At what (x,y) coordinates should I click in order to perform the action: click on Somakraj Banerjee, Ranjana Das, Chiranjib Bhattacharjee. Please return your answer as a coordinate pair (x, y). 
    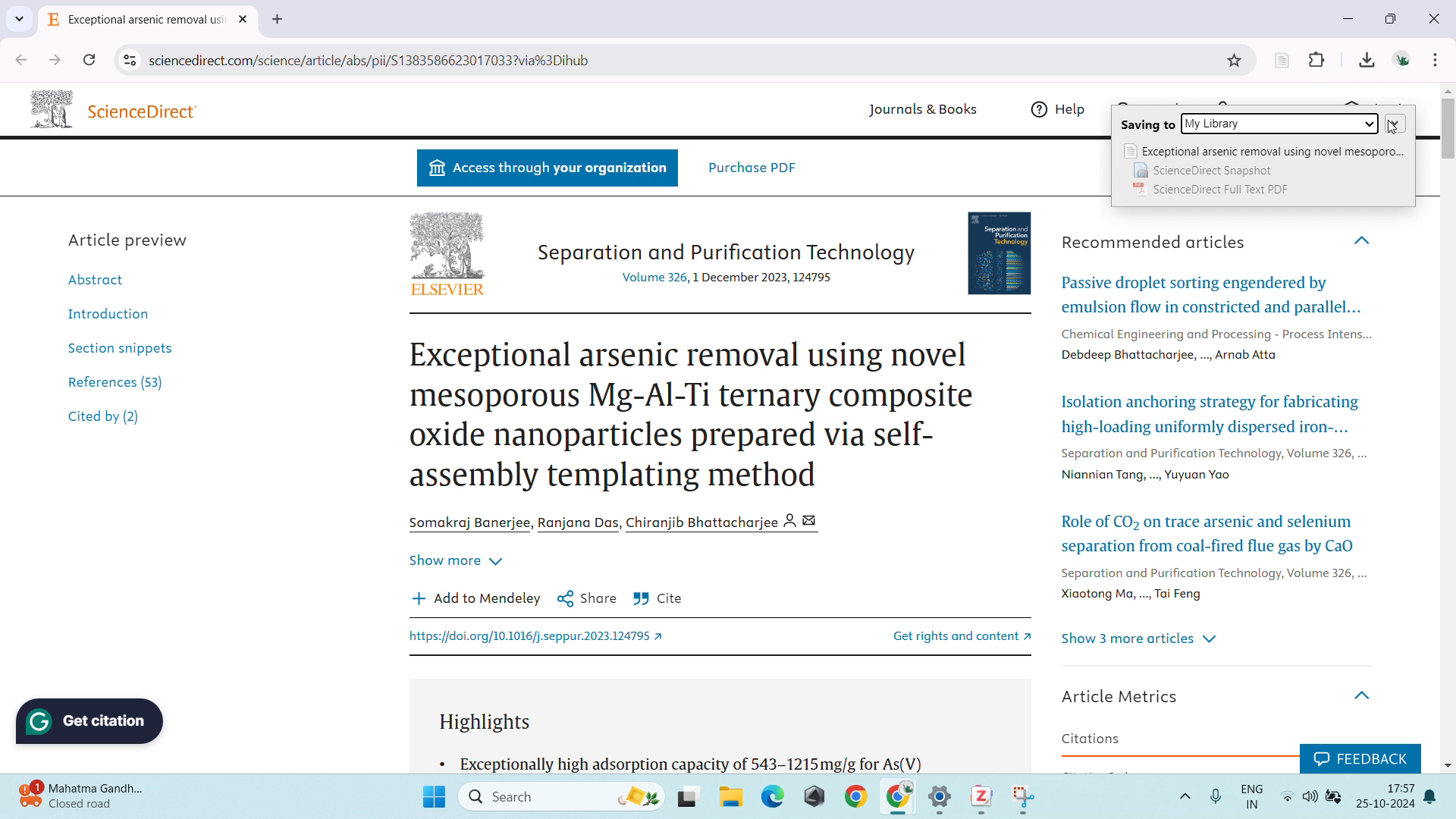
    Looking at the image, I should click on (620, 522).